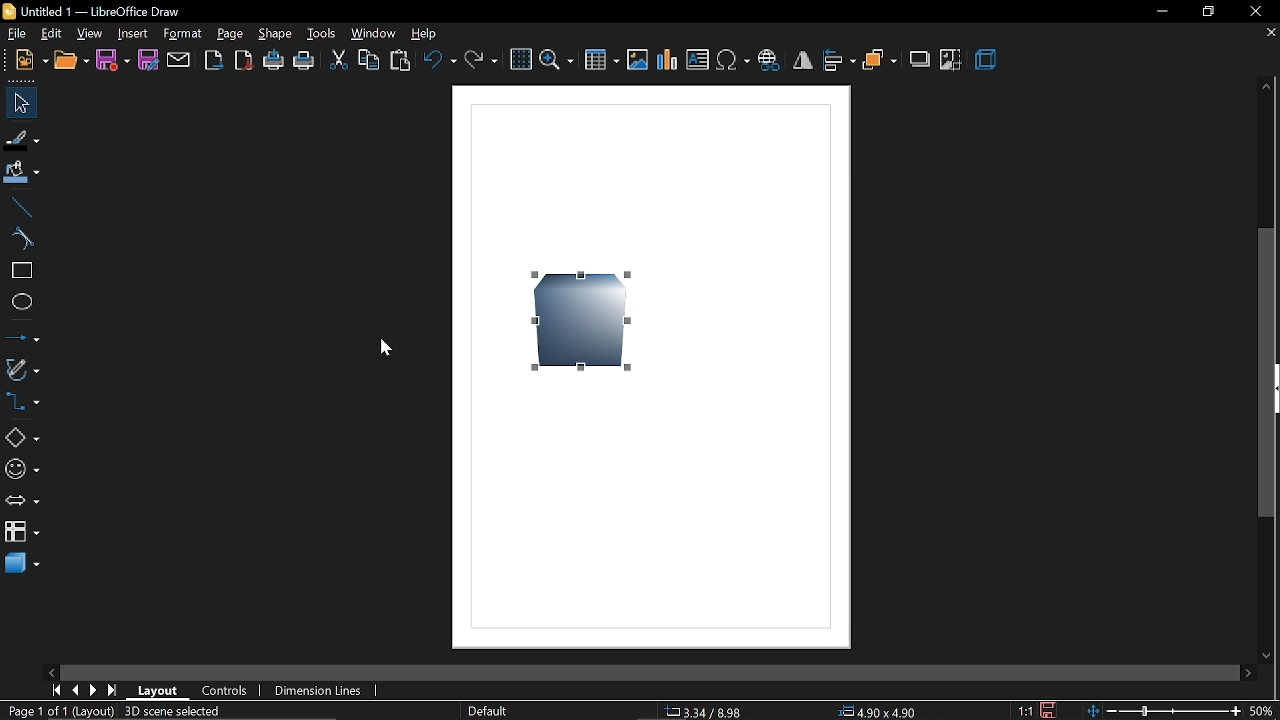  What do you see at coordinates (180, 60) in the screenshot?
I see `attach` at bounding box center [180, 60].